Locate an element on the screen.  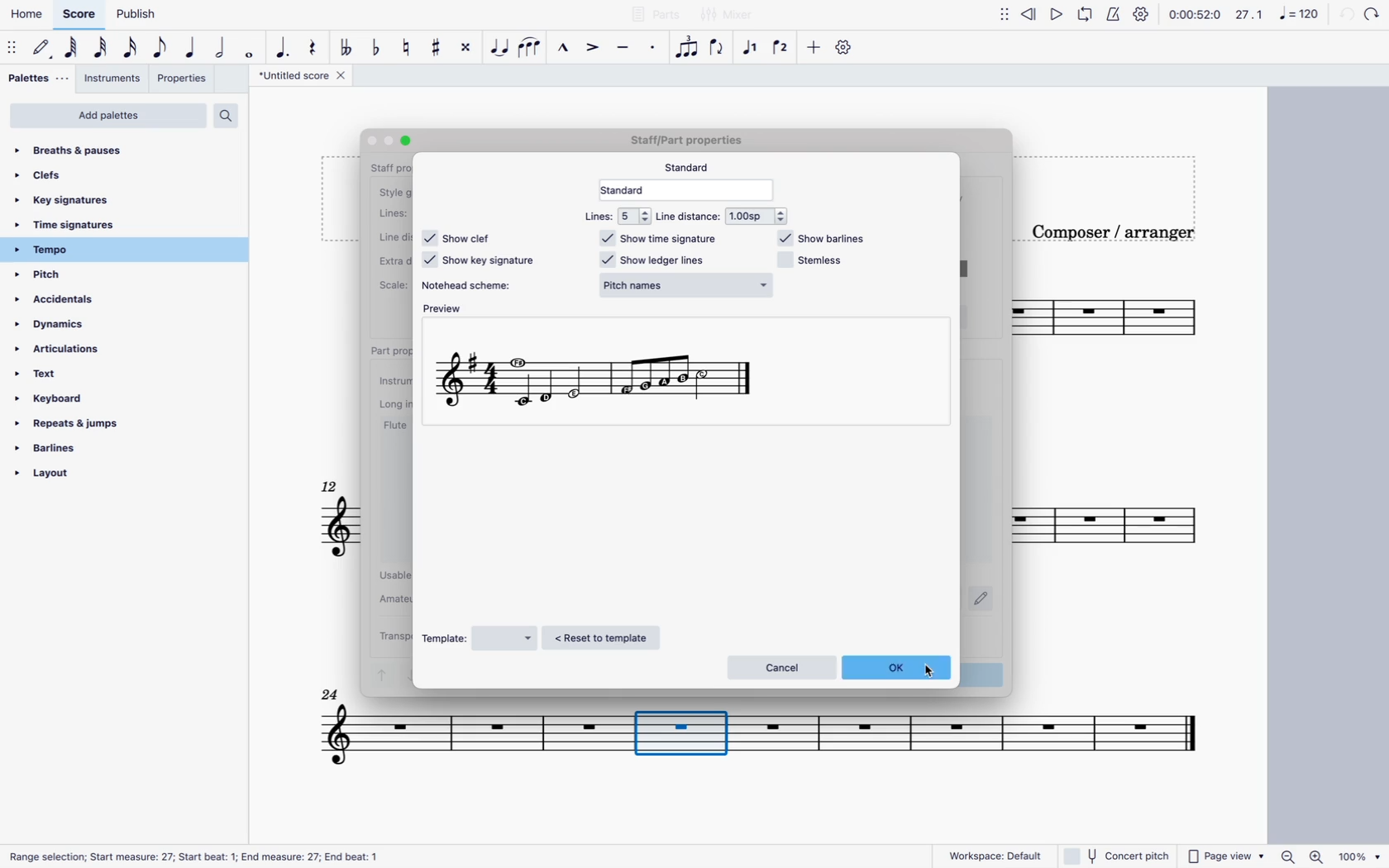
page view is located at coordinates (1225, 855).